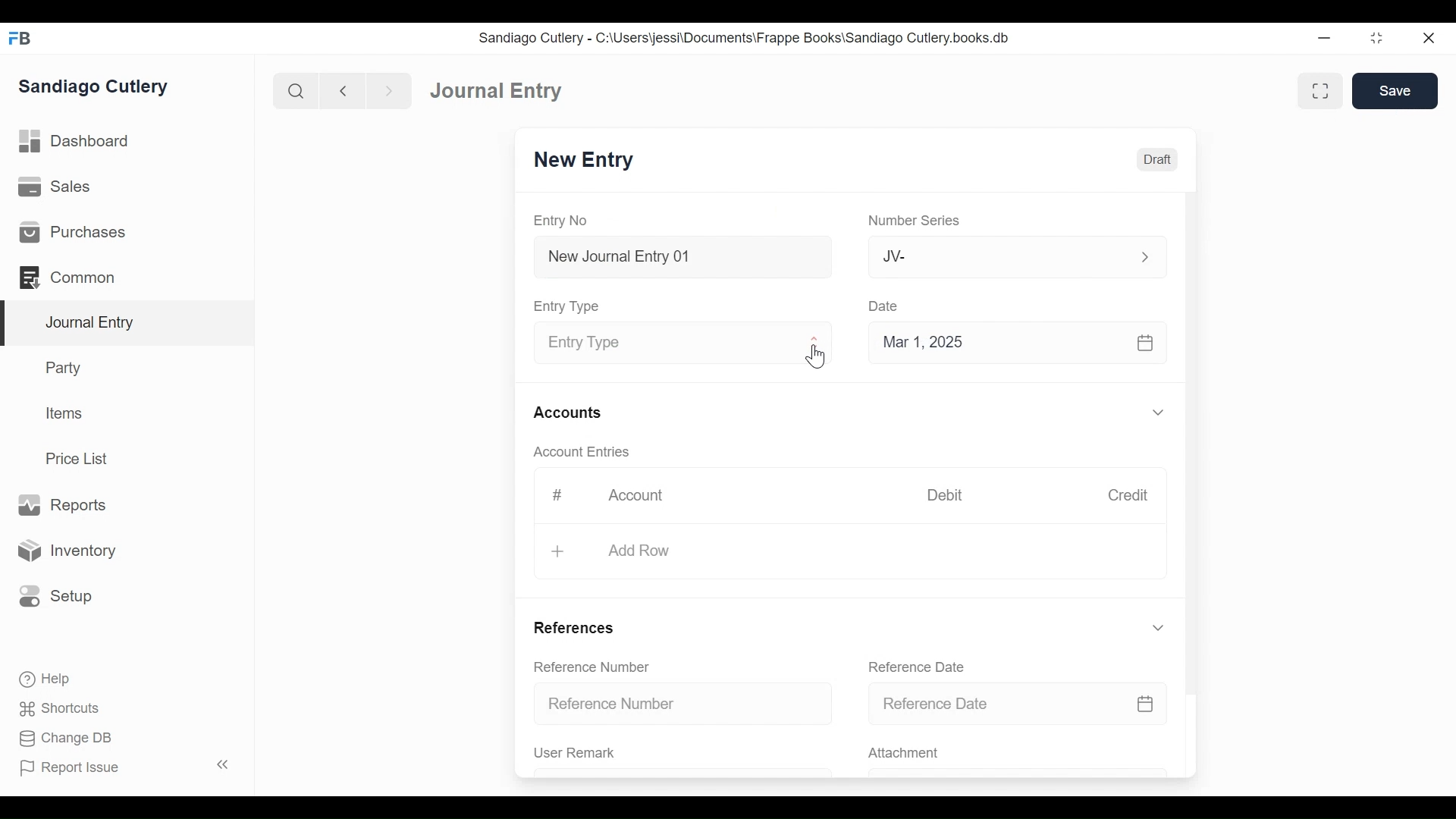 This screenshot has height=819, width=1456. I want to click on Change DB, so click(59, 739).